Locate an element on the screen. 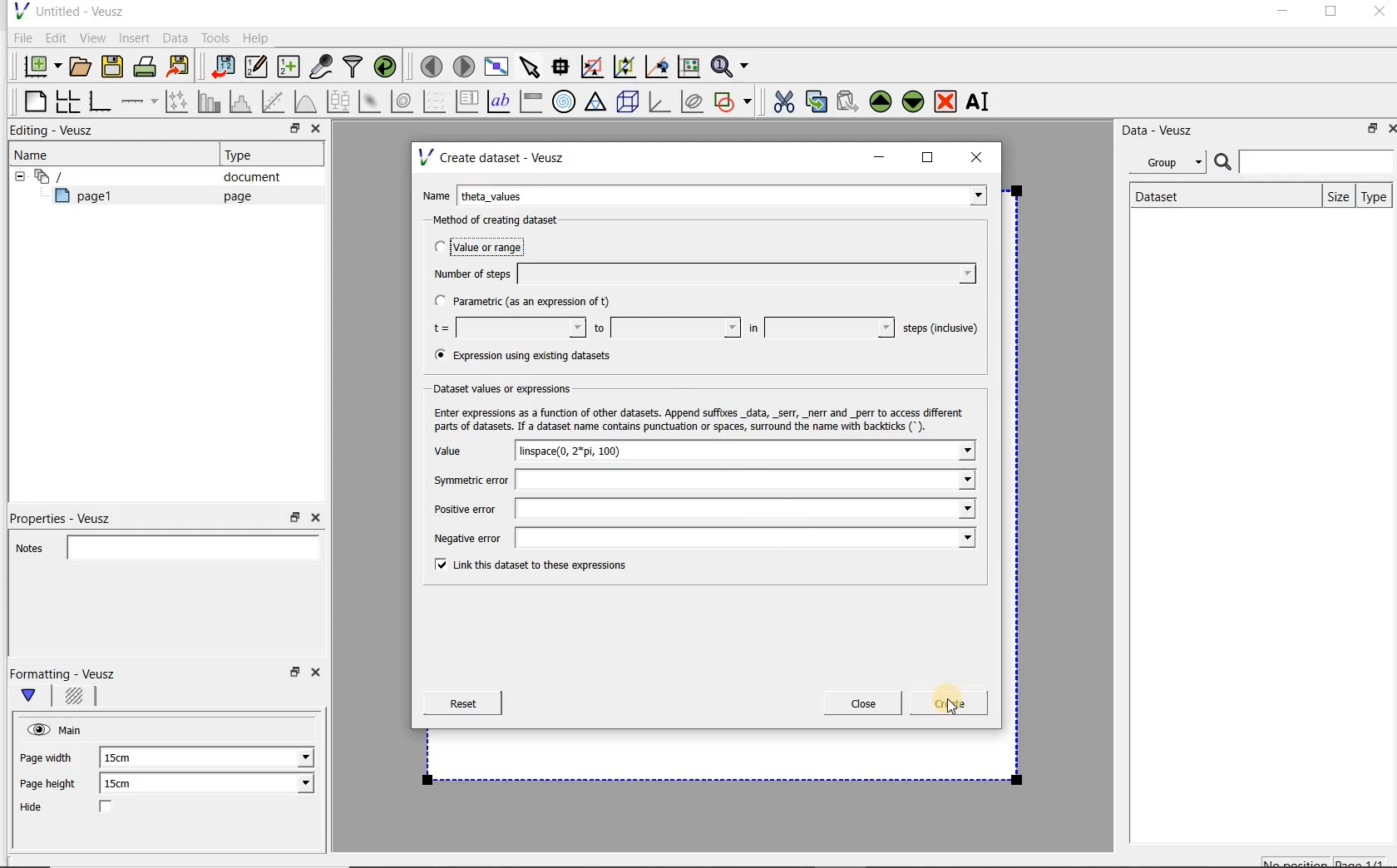 The image size is (1397, 868). Create is located at coordinates (944, 706).